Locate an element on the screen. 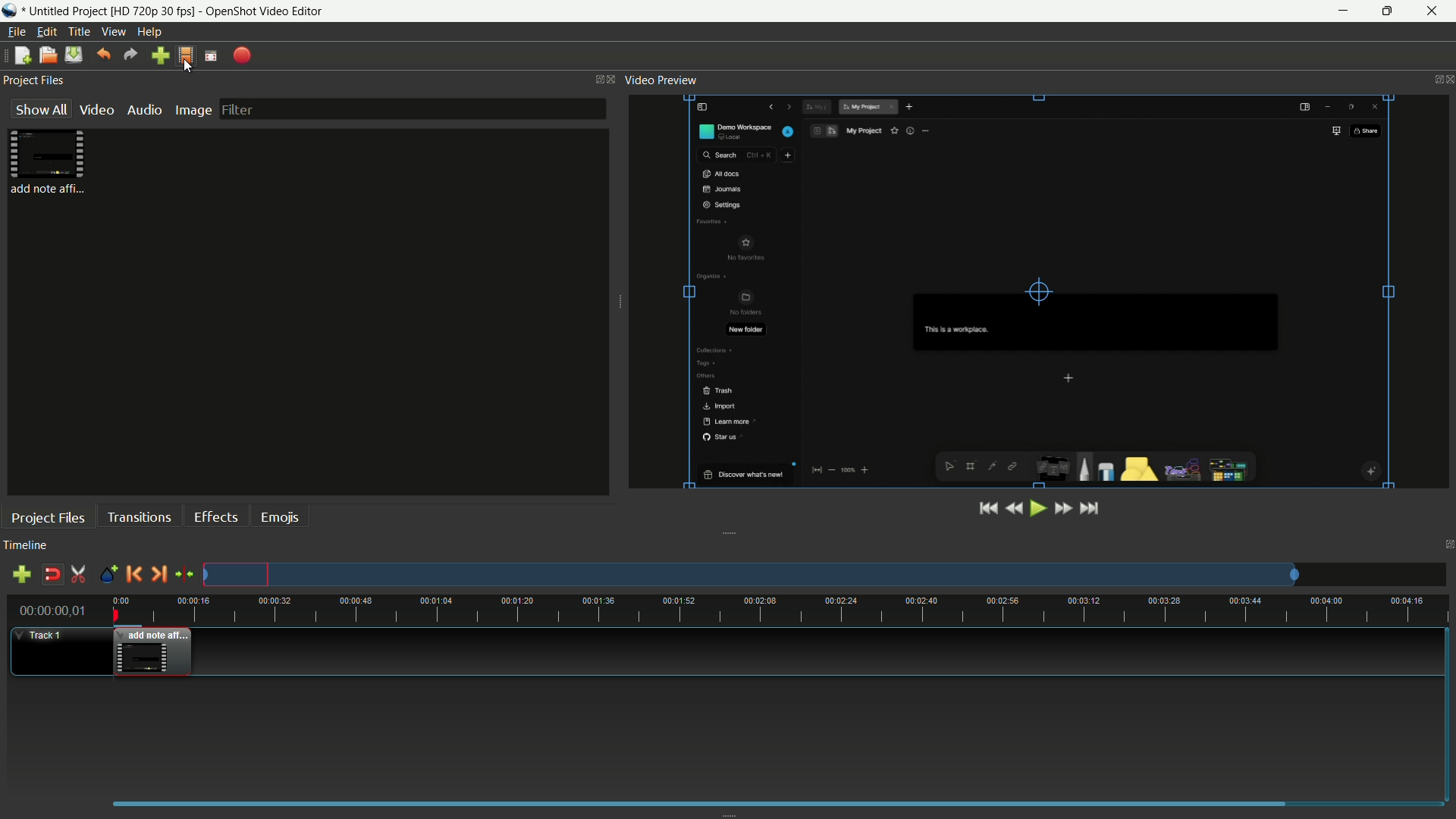 This screenshot has width=1456, height=819. filter bar is located at coordinates (414, 108).